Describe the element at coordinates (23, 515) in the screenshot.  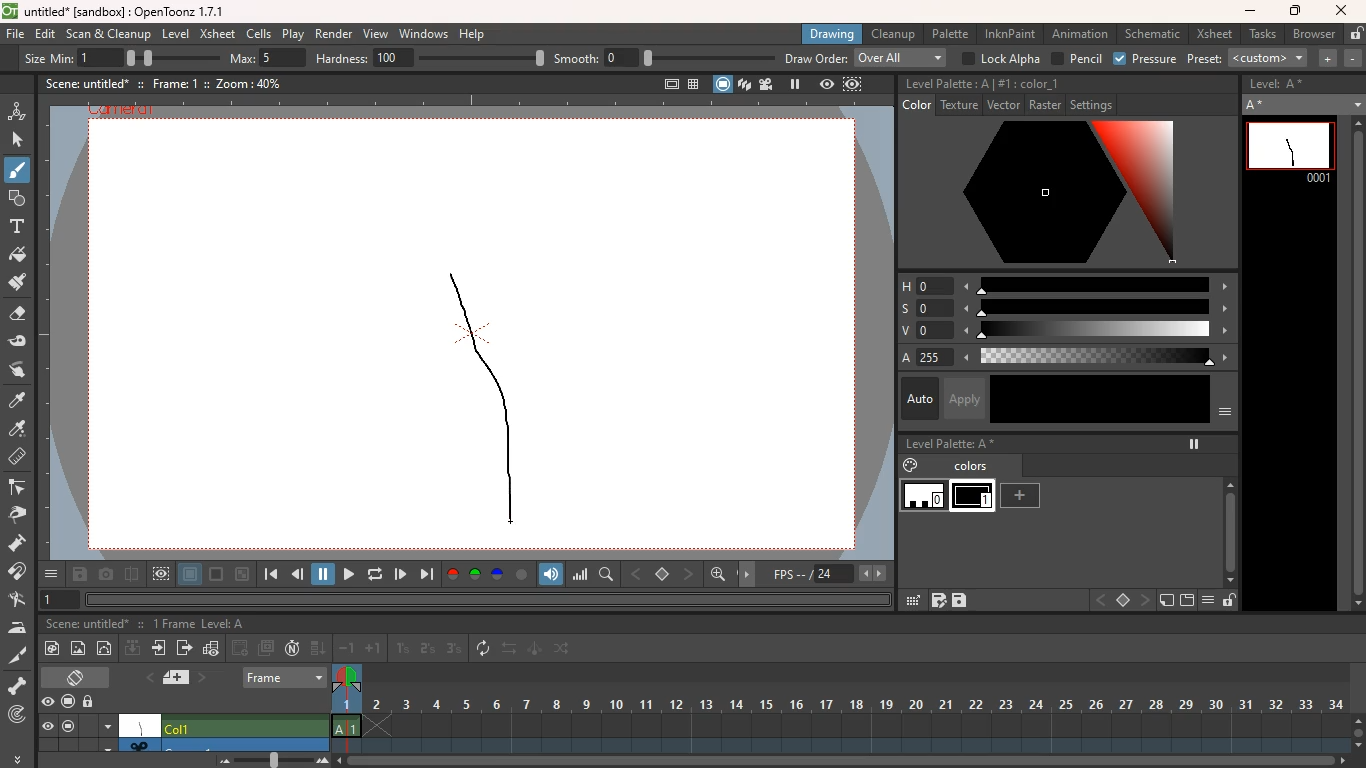
I see `pick` at that location.